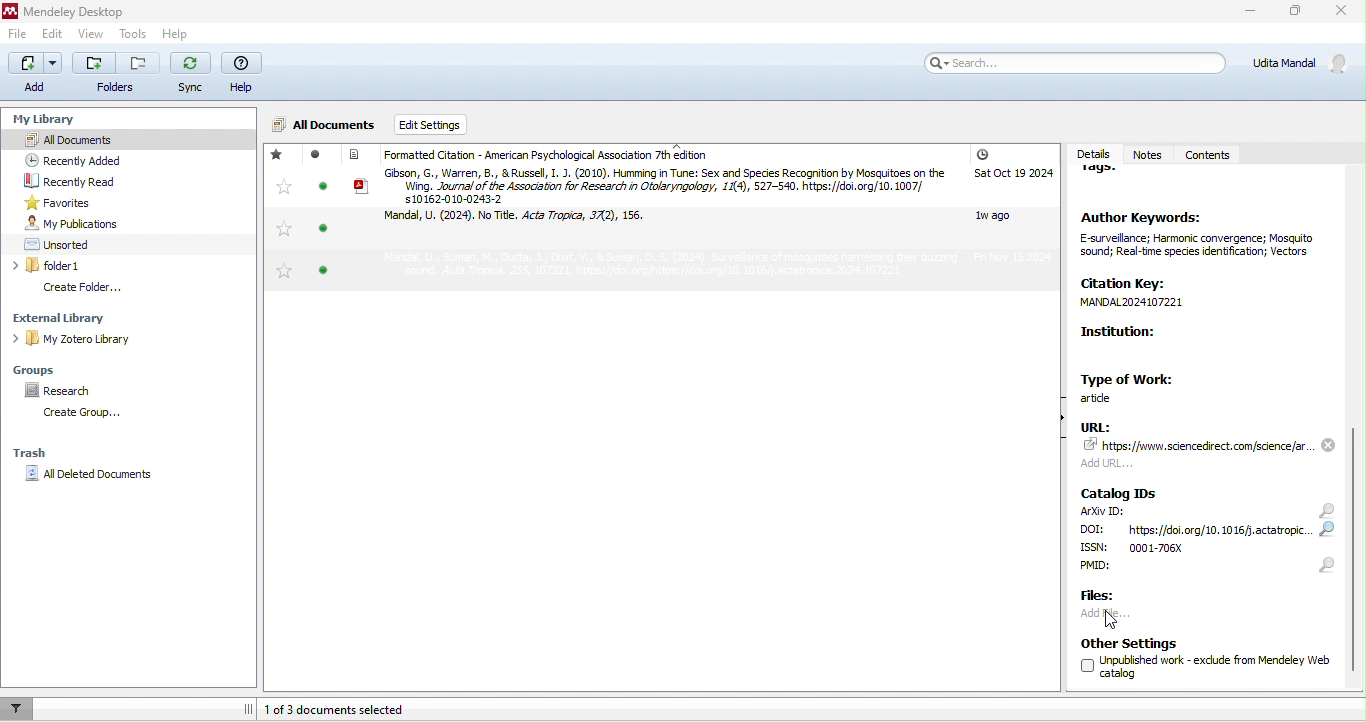 The image size is (1366, 722). Describe the element at coordinates (637, 267) in the screenshot. I see `article by Mandal et al, 2024` at that location.